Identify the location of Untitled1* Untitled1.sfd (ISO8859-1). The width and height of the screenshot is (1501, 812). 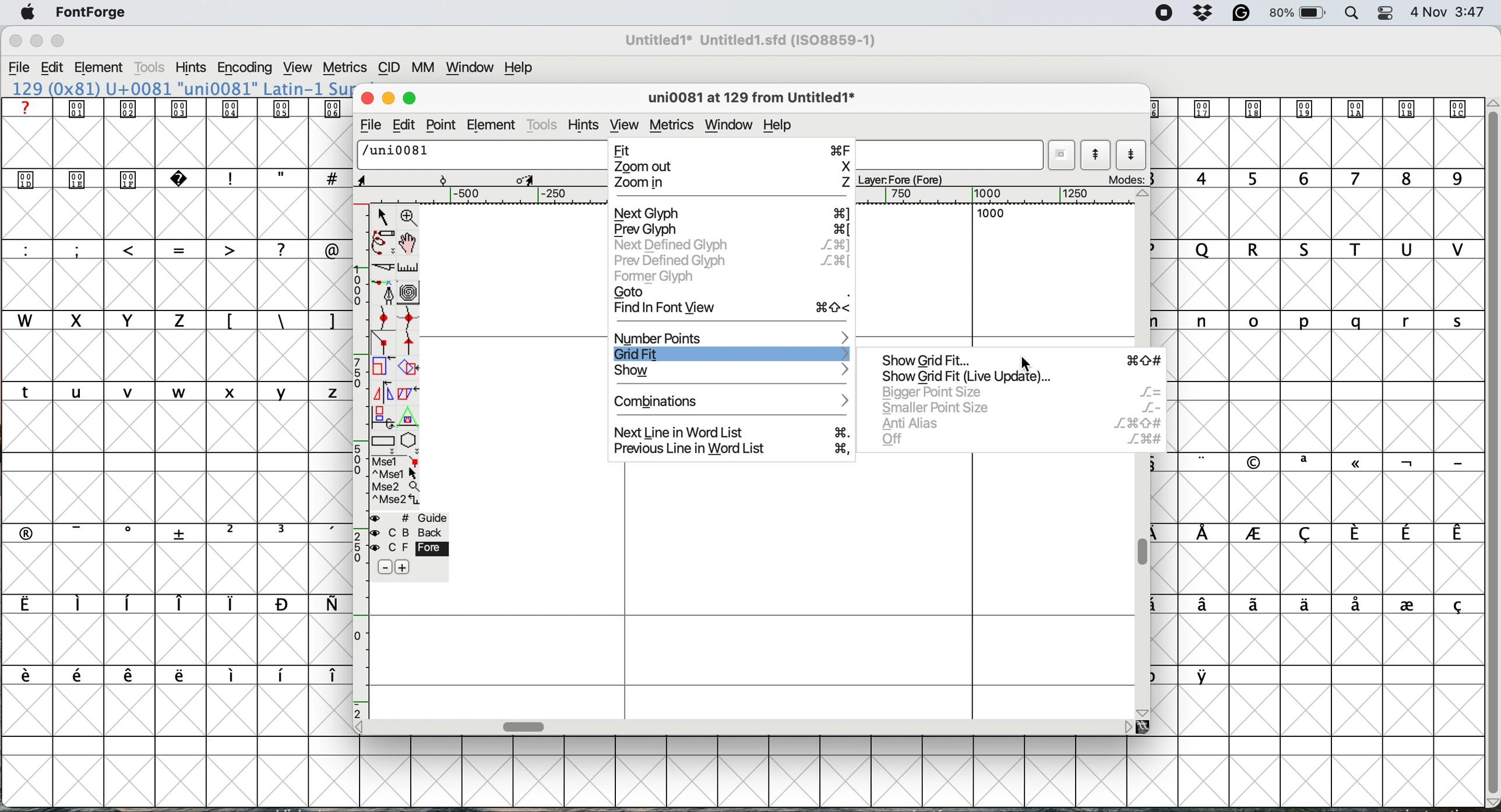
(751, 40).